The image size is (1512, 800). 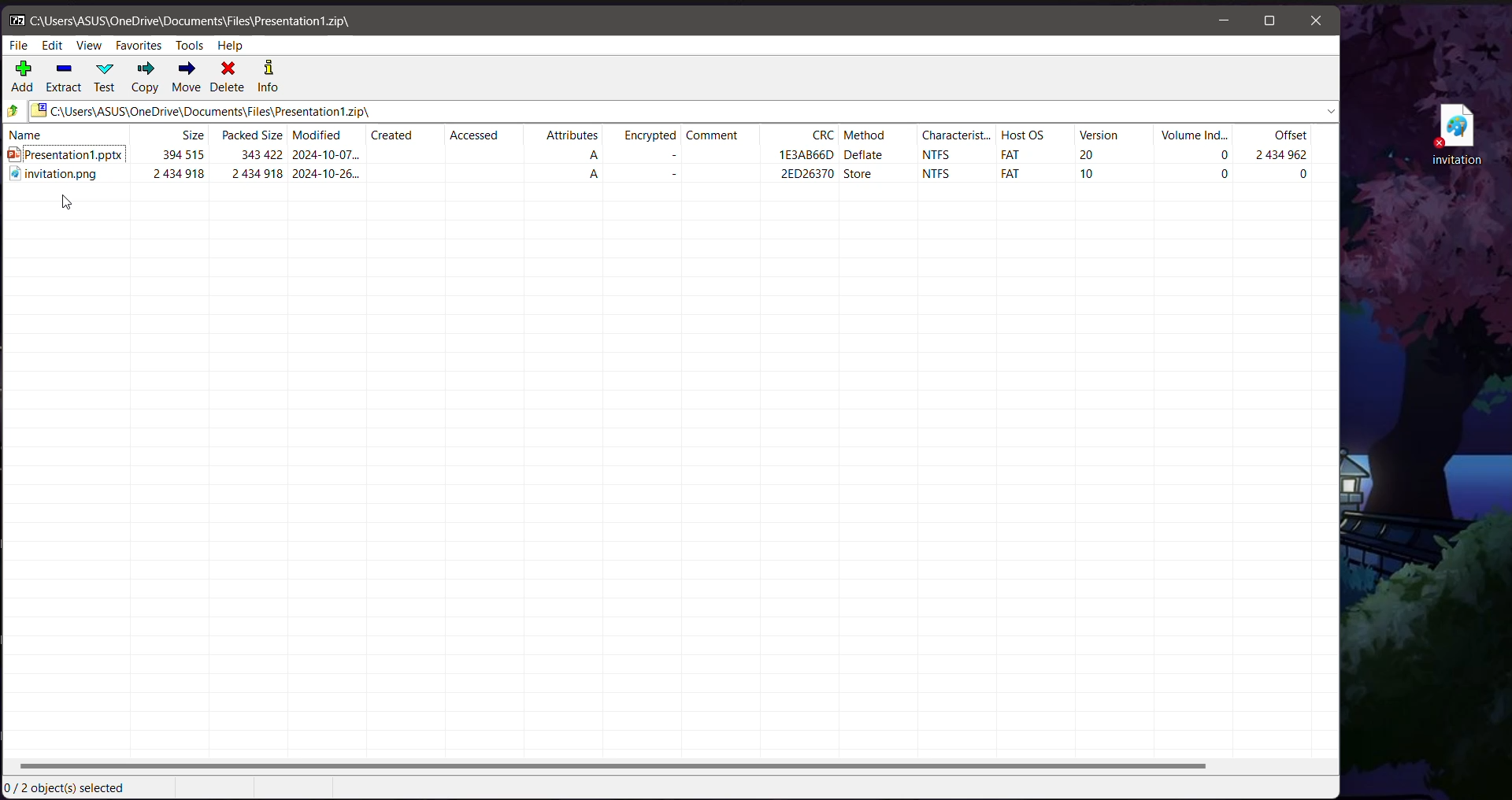 What do you see at coordinates (69, 203) in the screenshot?
I see `Cursor` at bounding box center [69, 203].